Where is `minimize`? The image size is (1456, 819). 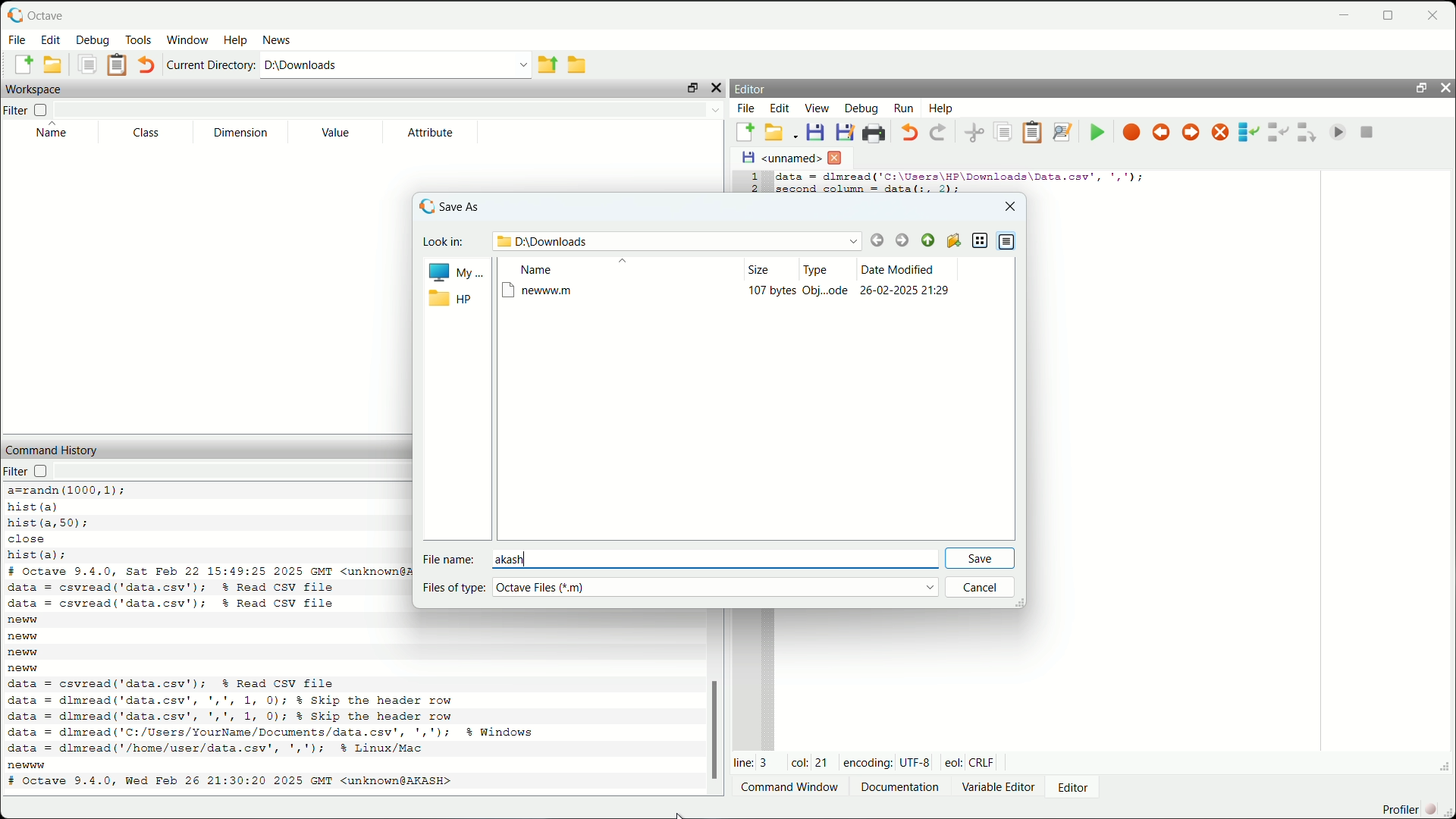
minimize is located at coordinates (1345, 11).